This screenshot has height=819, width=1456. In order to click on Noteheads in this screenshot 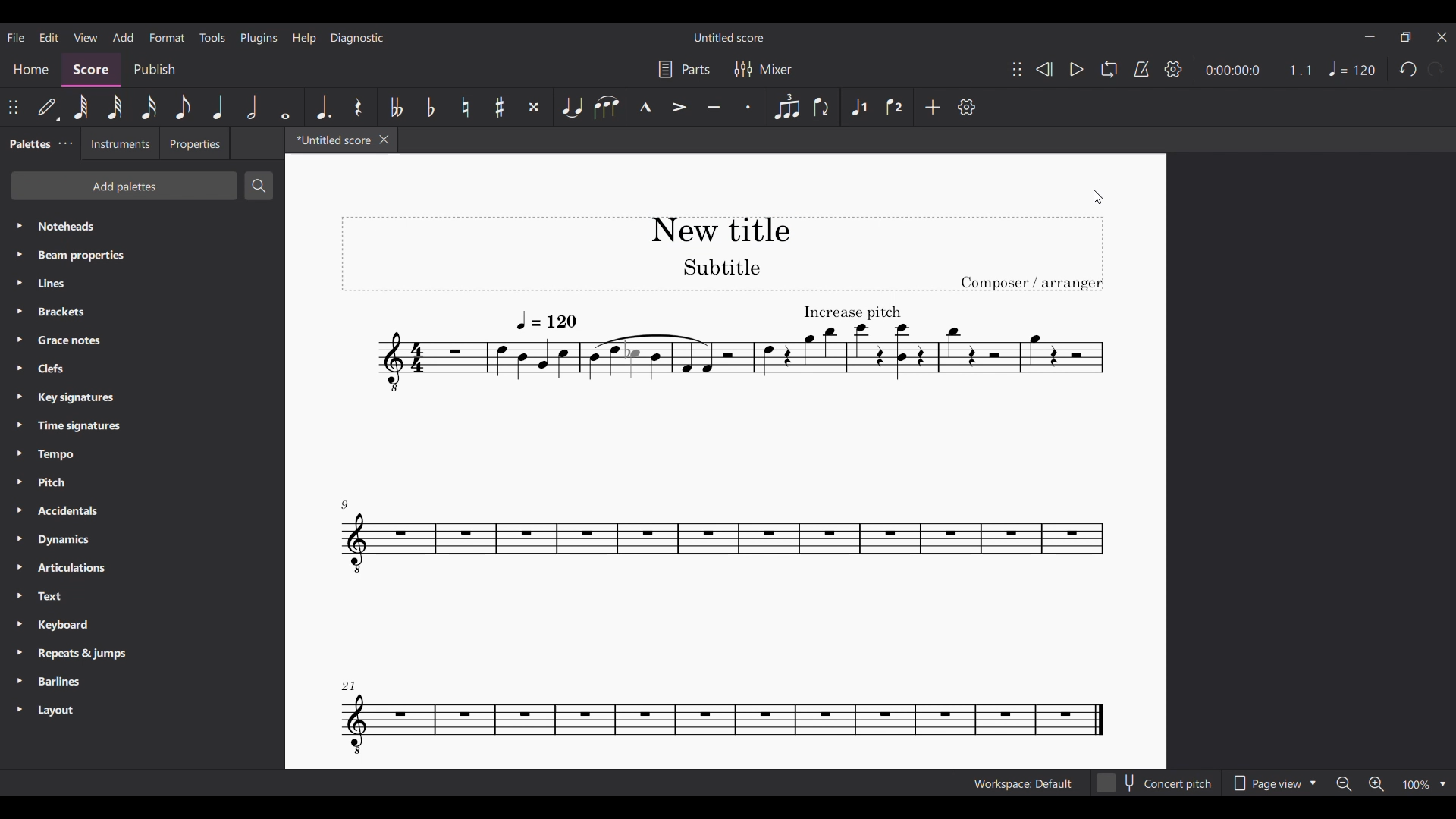, I will do `click(143, 226)`.